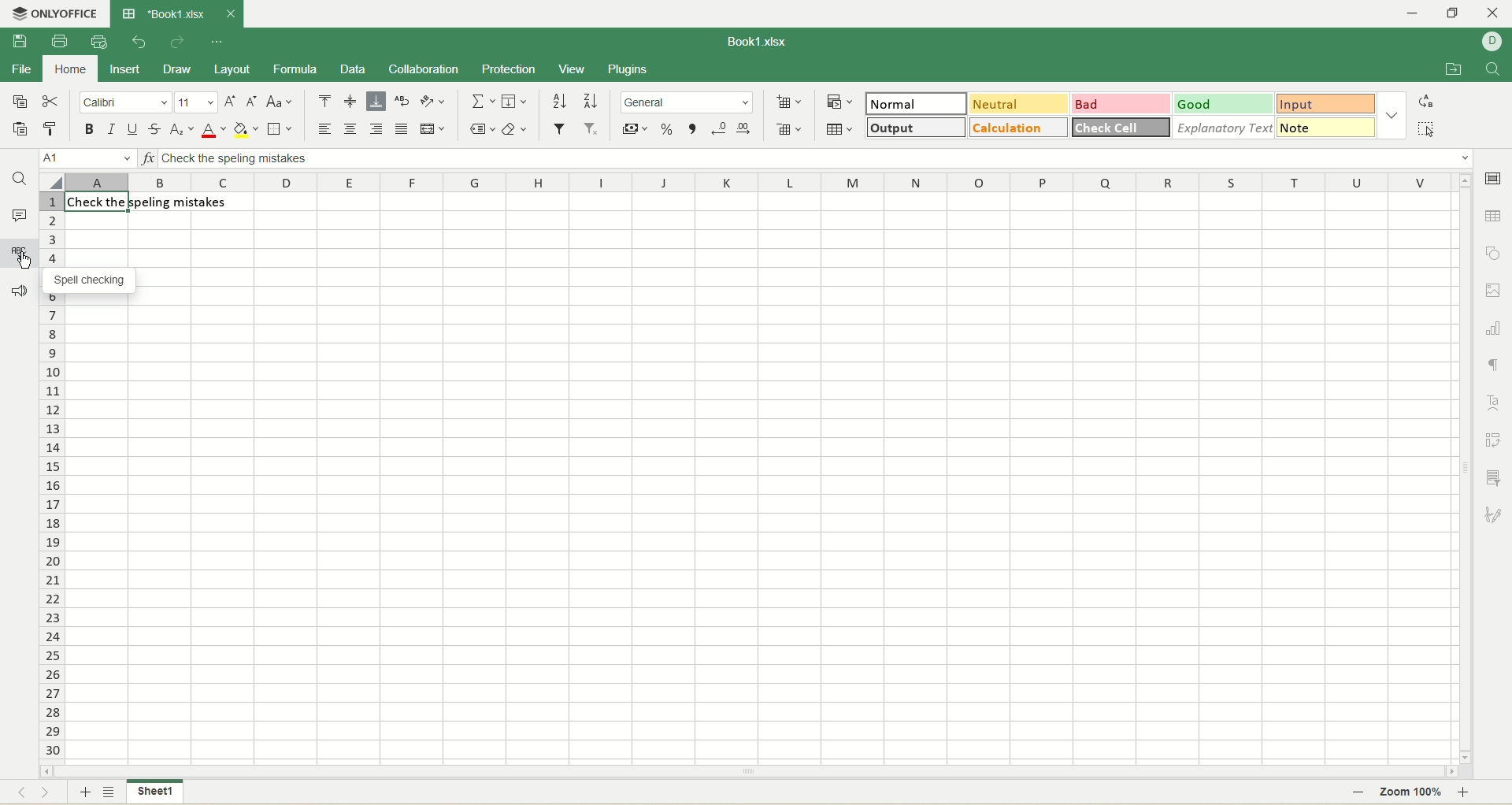 This screenshot has width=1512, height=805. I want to click on object settings, so click(1495, 252).